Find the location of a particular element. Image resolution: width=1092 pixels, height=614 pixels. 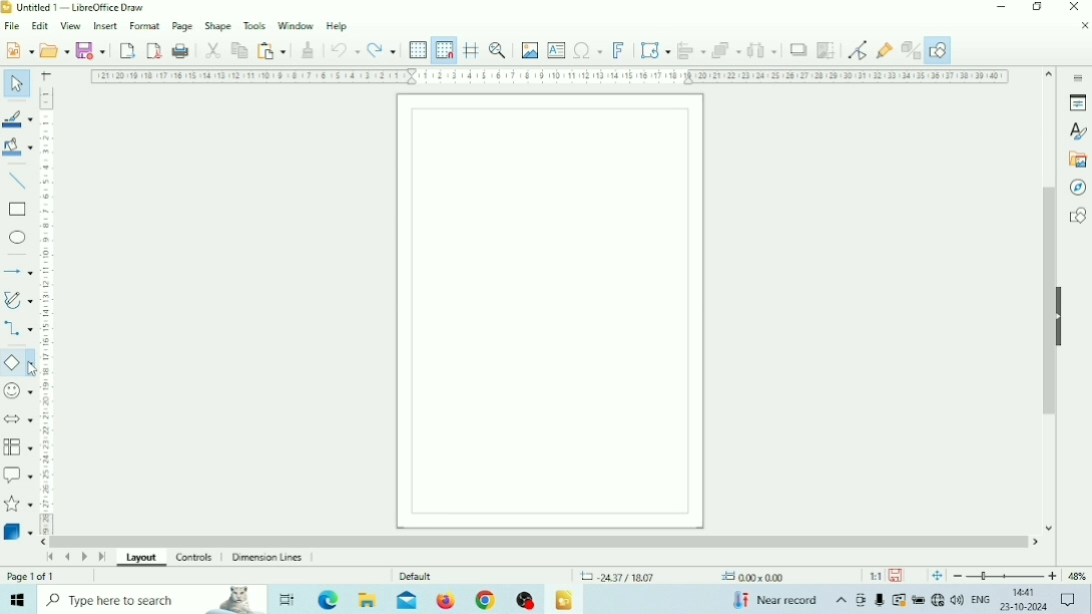

Select is located at coordinates (17, 82).